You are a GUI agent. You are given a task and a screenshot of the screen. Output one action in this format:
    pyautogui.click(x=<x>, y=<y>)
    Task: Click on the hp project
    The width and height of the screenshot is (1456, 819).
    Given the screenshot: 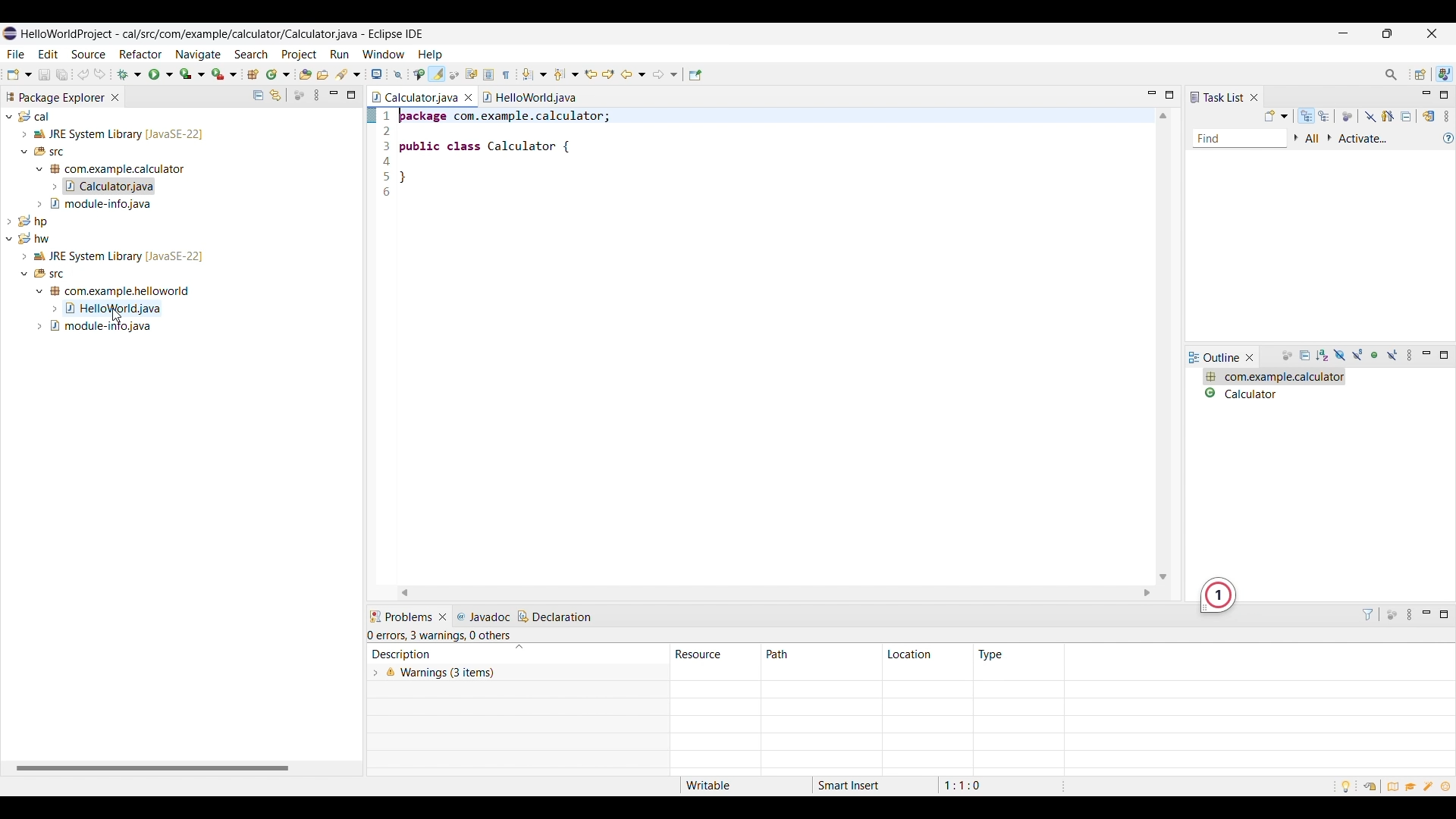 What is the action you would take?
    pyautogui.click(x=179, y=220)
    